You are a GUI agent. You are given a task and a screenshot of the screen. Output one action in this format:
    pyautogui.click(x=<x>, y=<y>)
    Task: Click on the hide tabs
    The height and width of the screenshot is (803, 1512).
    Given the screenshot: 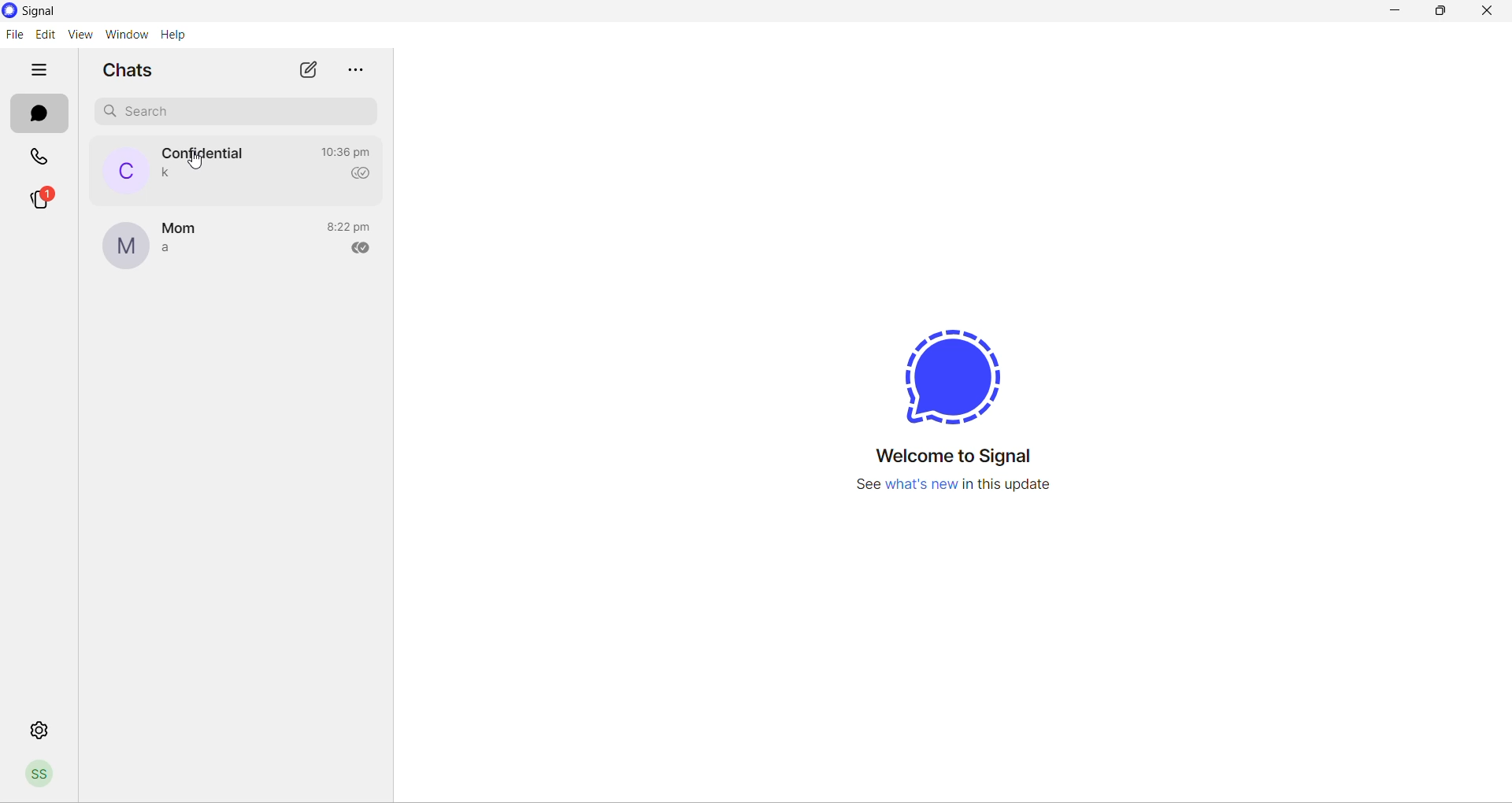 What is the action you would take?
    pyautogui.click(x=45, y=71)
    